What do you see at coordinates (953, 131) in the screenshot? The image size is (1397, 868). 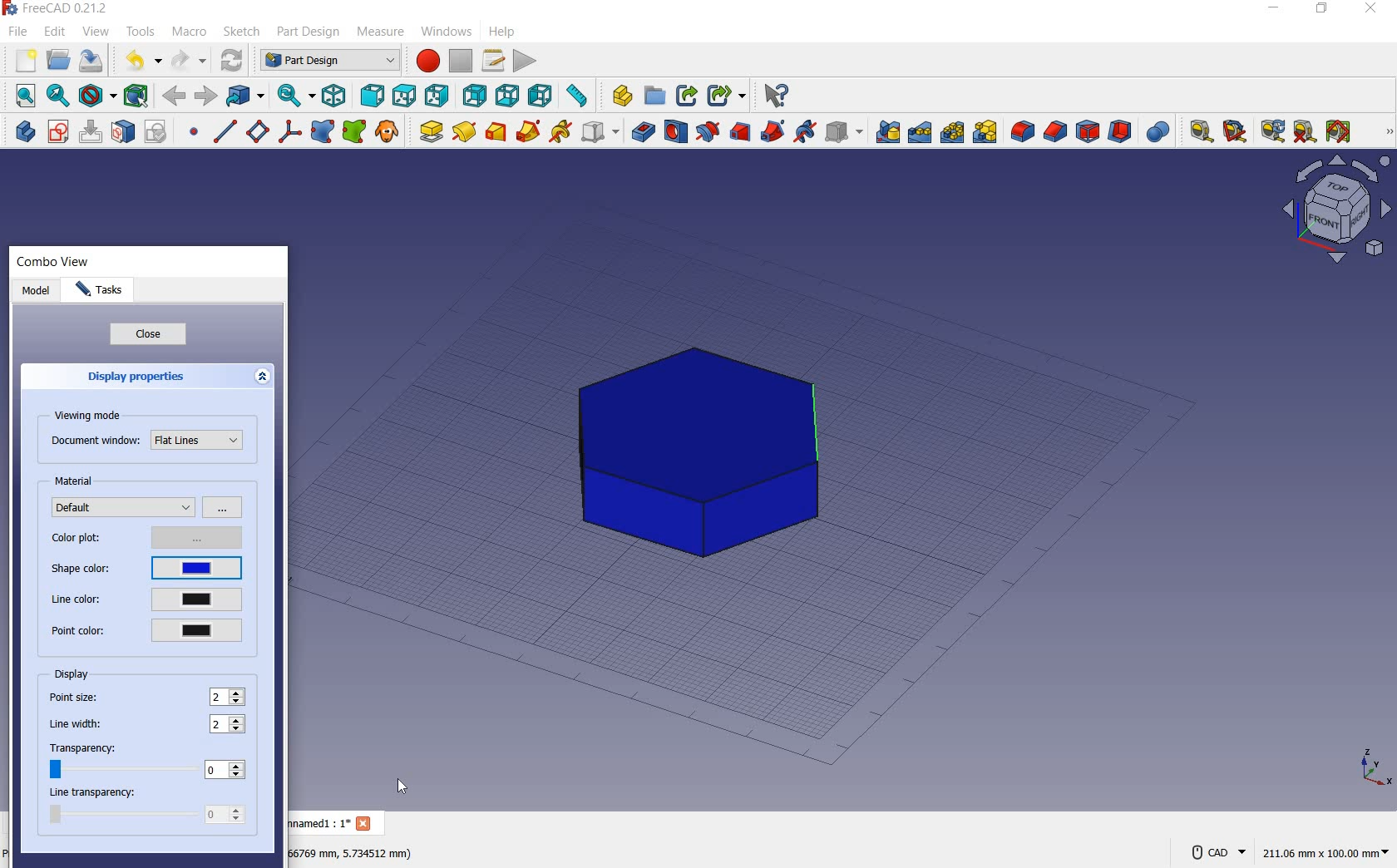 I see `polarpattern` at bounding box center [953, 131].